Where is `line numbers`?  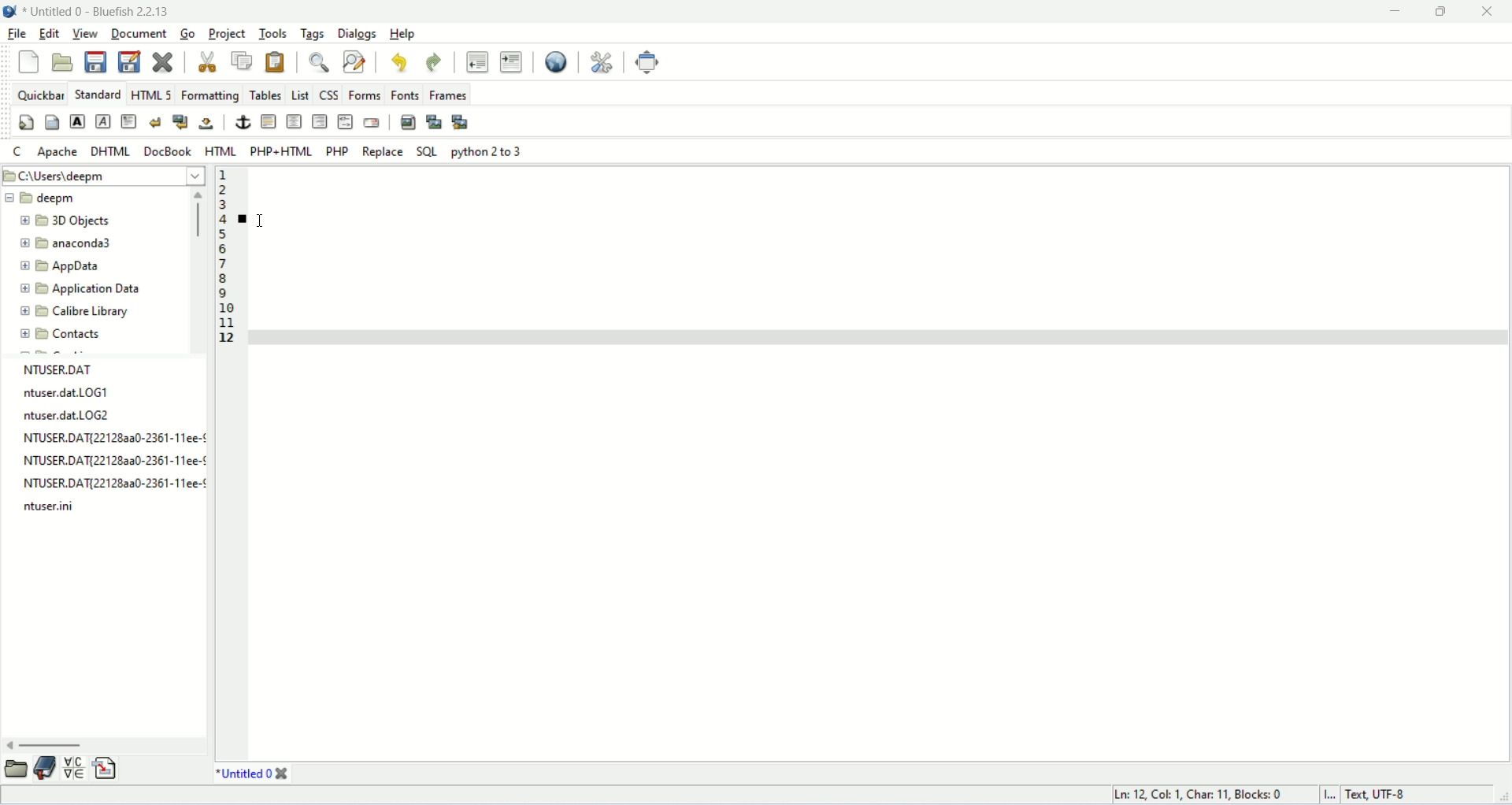 line numbers is located at coordinates (221, 258).